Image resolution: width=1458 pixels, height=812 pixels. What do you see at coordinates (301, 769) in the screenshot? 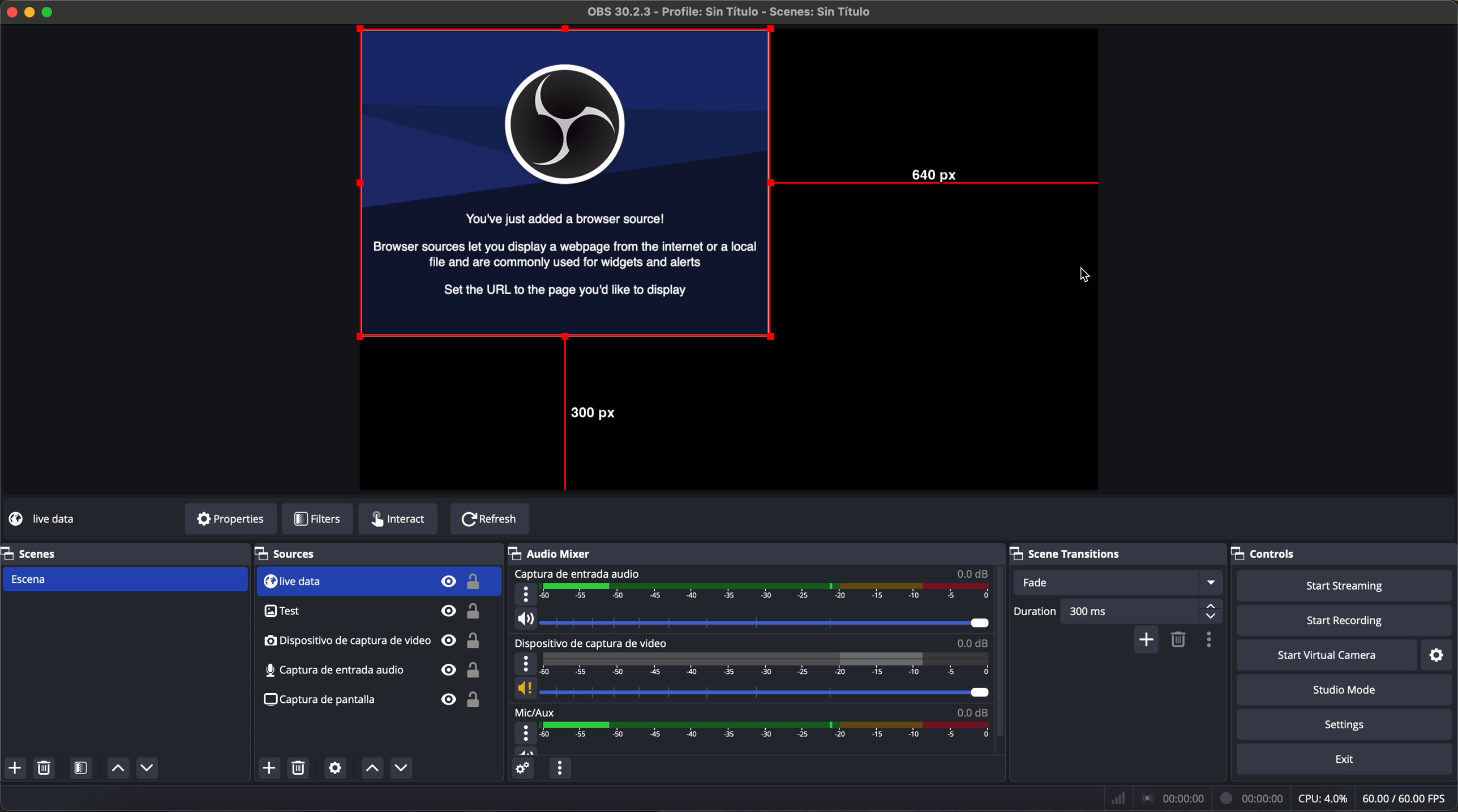
I see `remove selected sources` at bounding box center [301, 769].